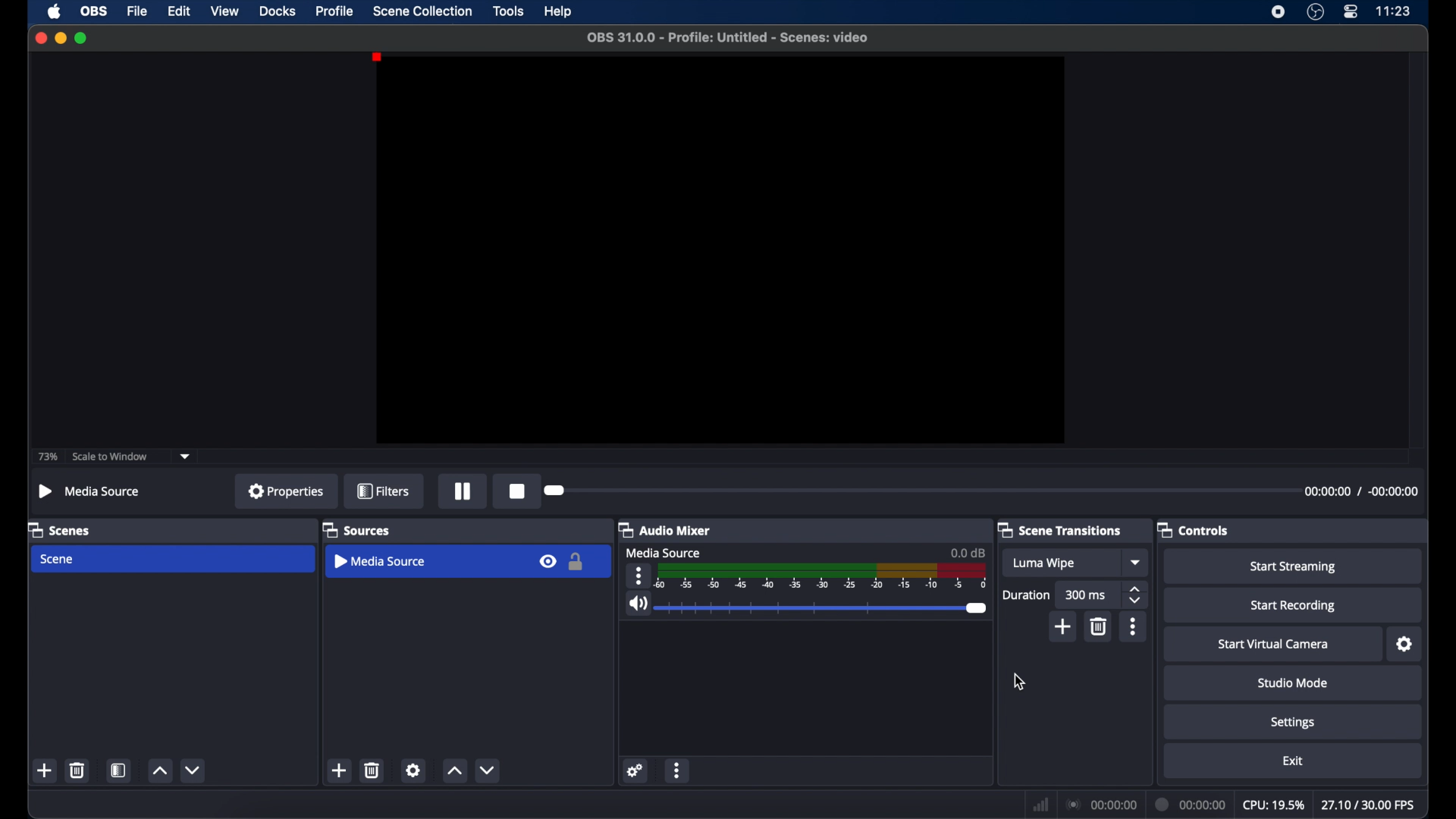  Describe the element at coordinates (679, 770) in the screenshot. I see `more options` at that location.